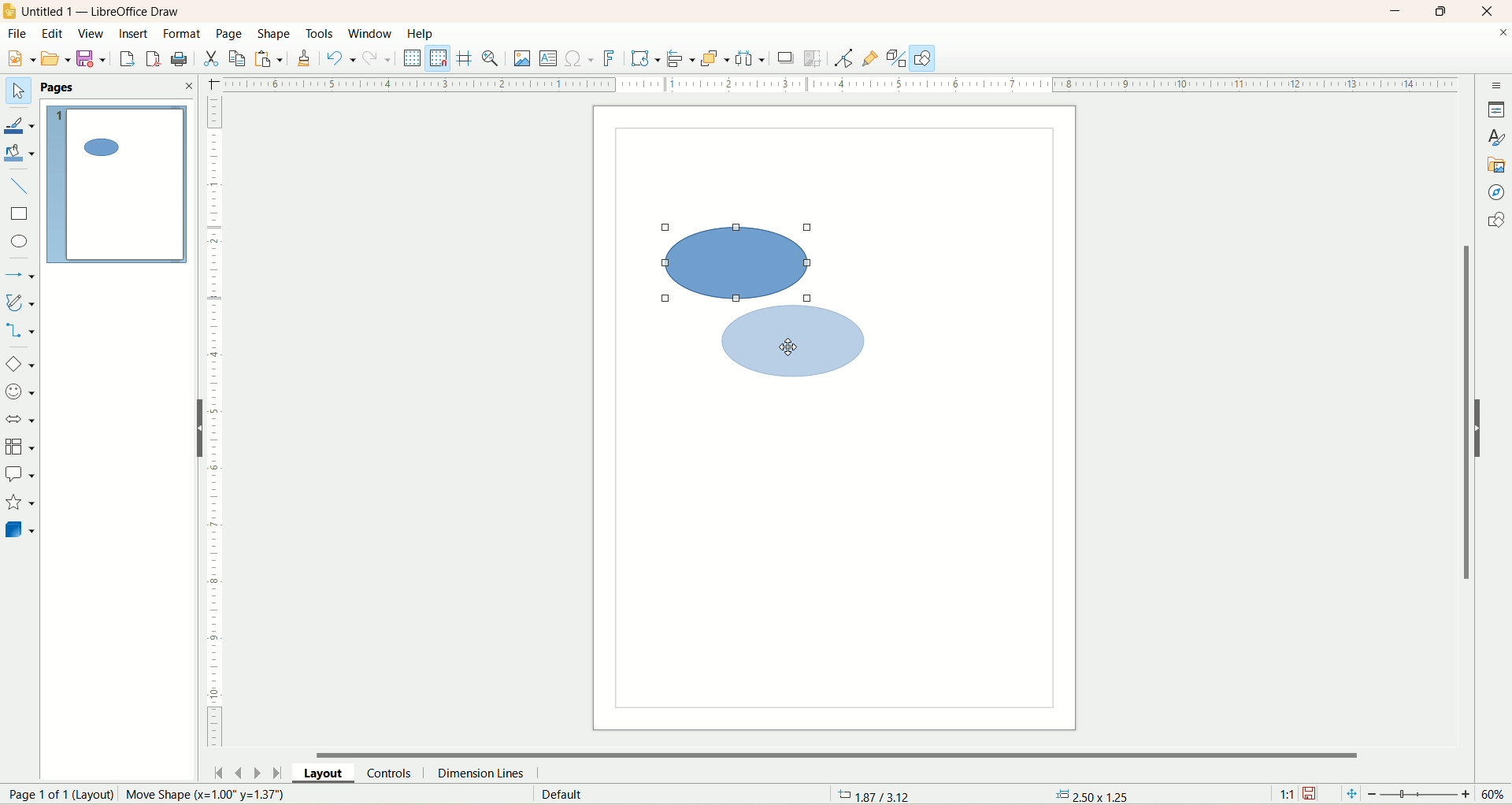 The image size is (1512, 805). Describe the element at coordinates (51, 33) in the screenshot. I see `edit` at that location.